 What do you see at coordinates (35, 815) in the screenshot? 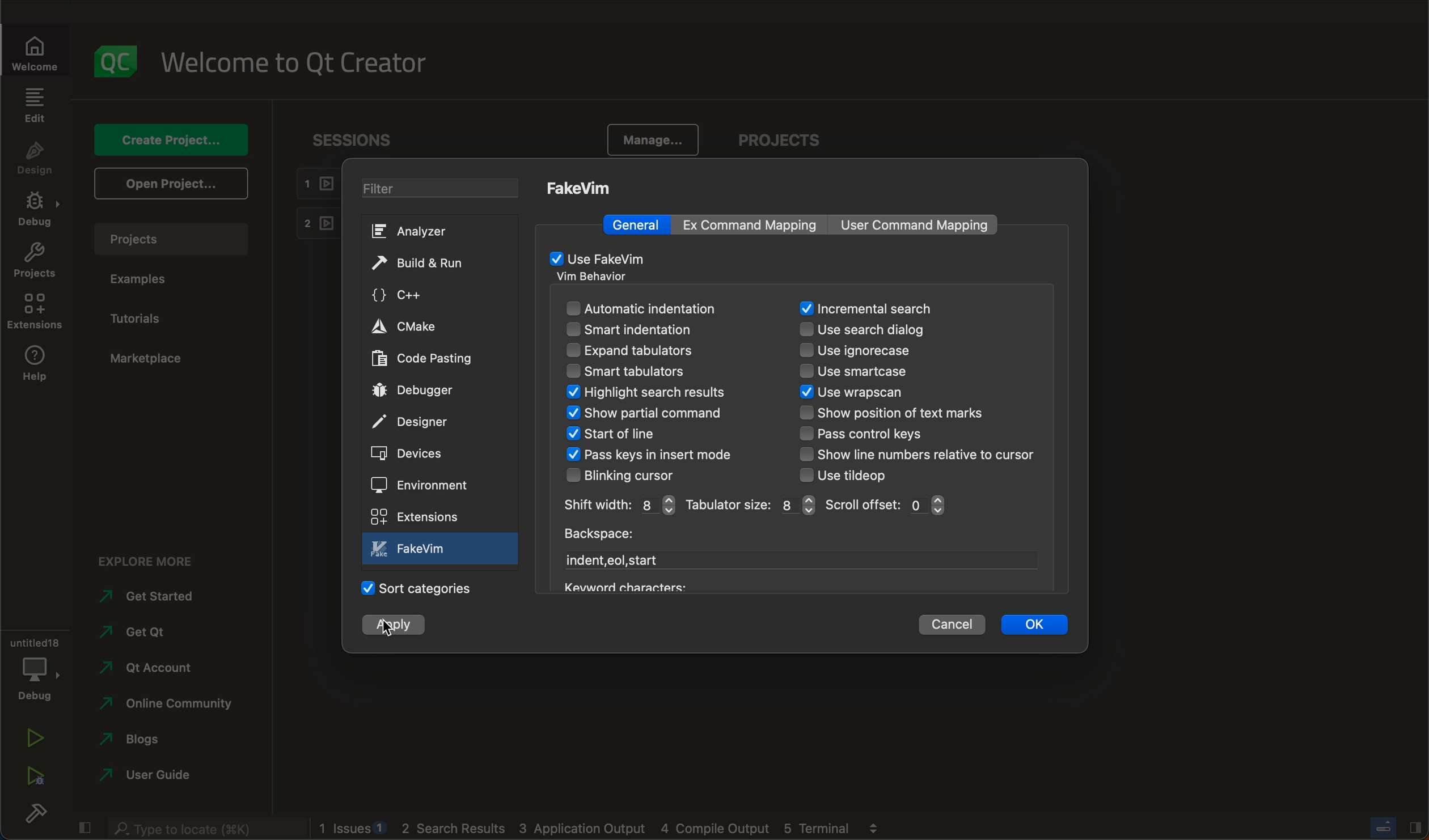
I see `build` at bounding box center [35, 815].